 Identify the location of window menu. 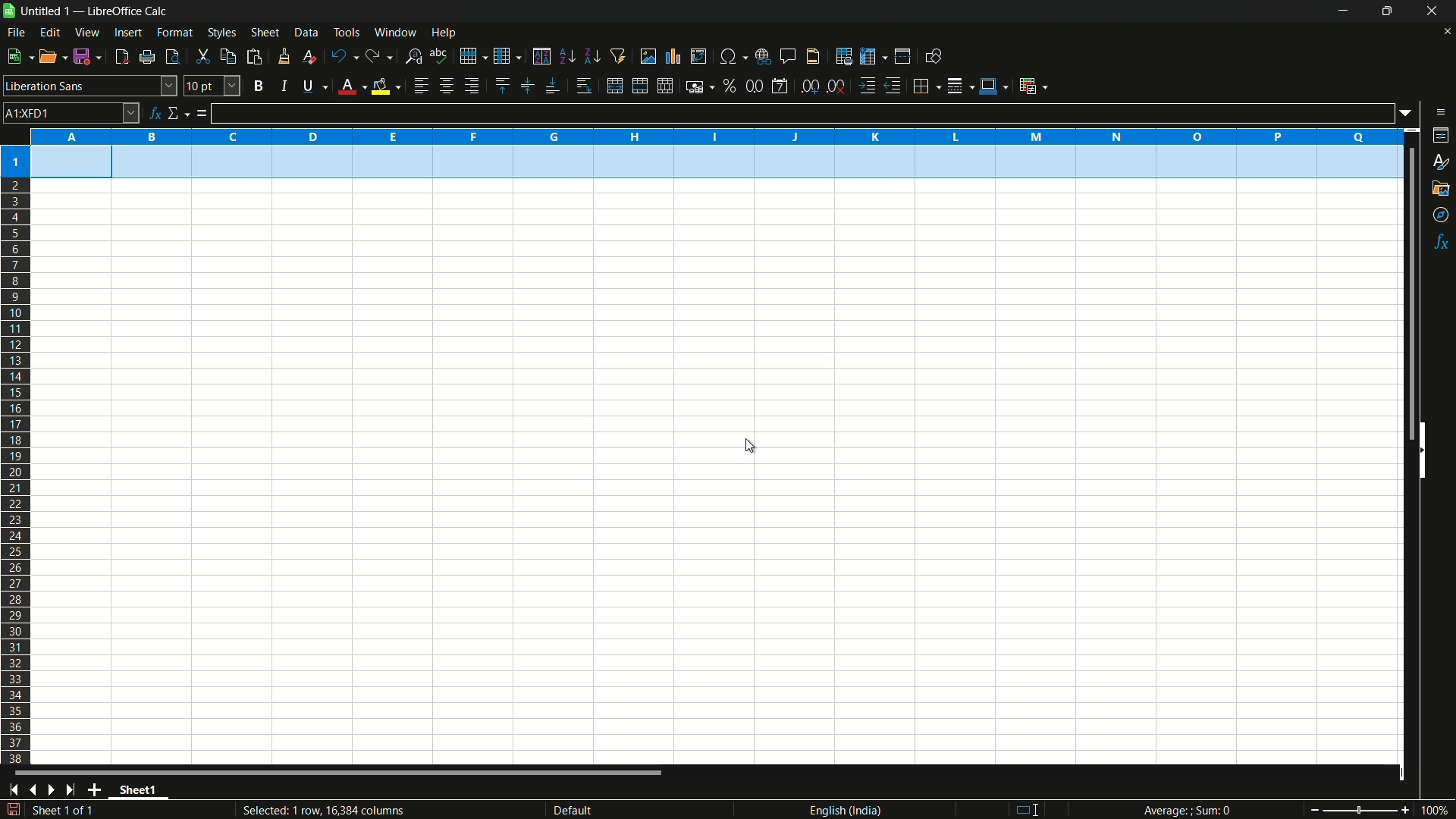
(395, 32).